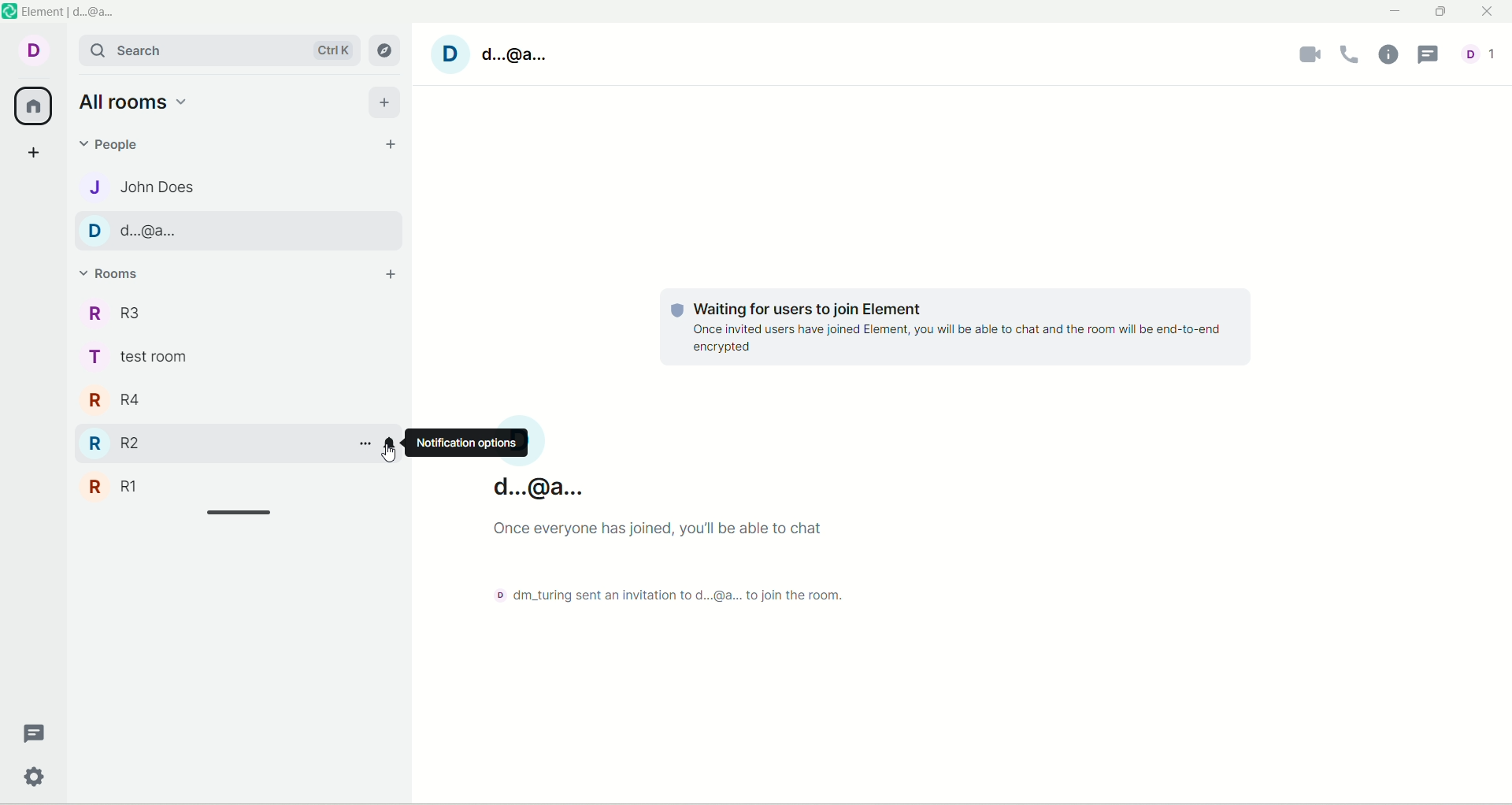 This screenshot has height=805, width=1512. What do you see at coordinates (135, 231) in the screenshot?
I see `account ` at bounding box center [135, 231].